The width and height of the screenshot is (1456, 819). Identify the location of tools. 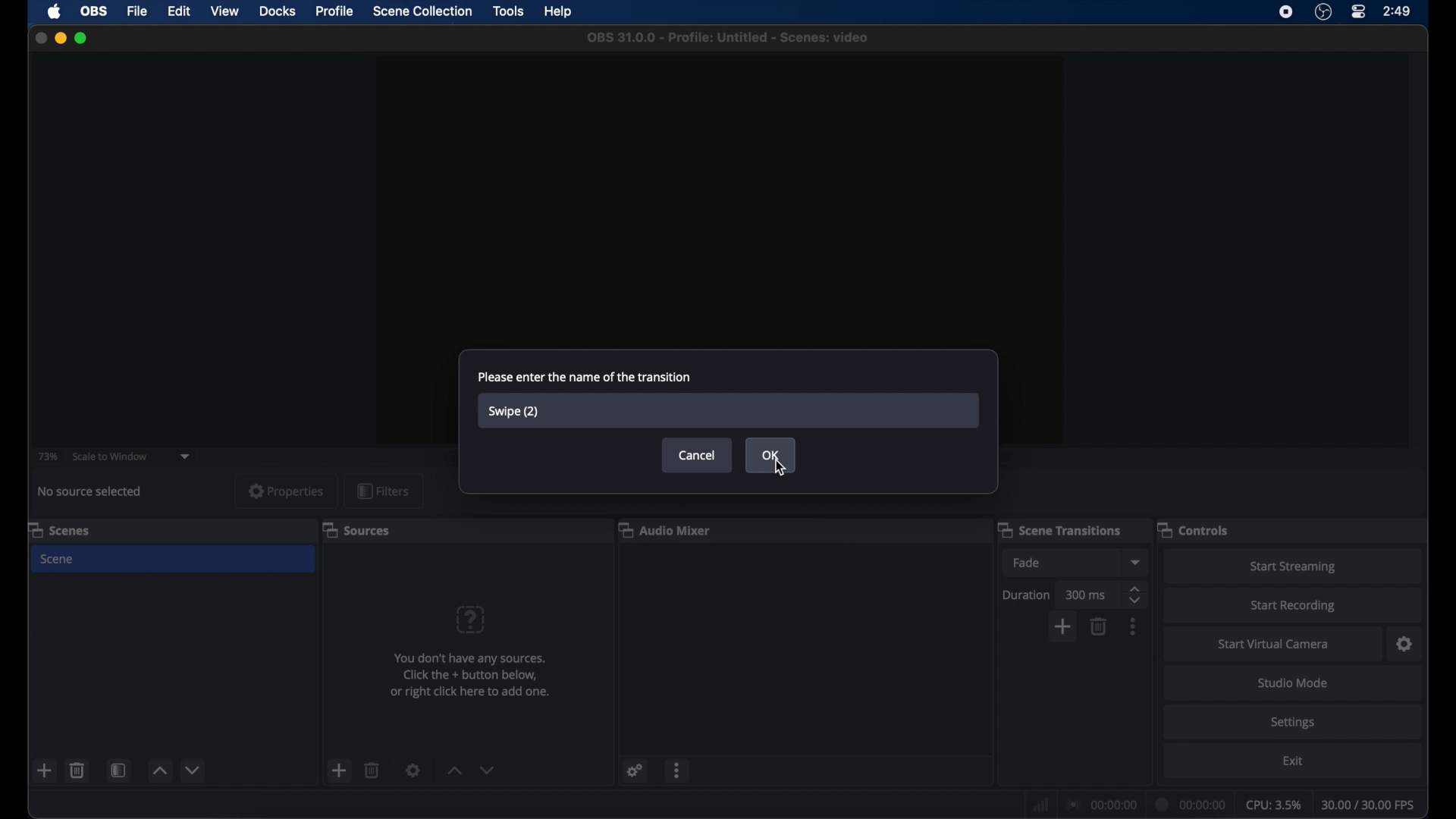
(509, 11).